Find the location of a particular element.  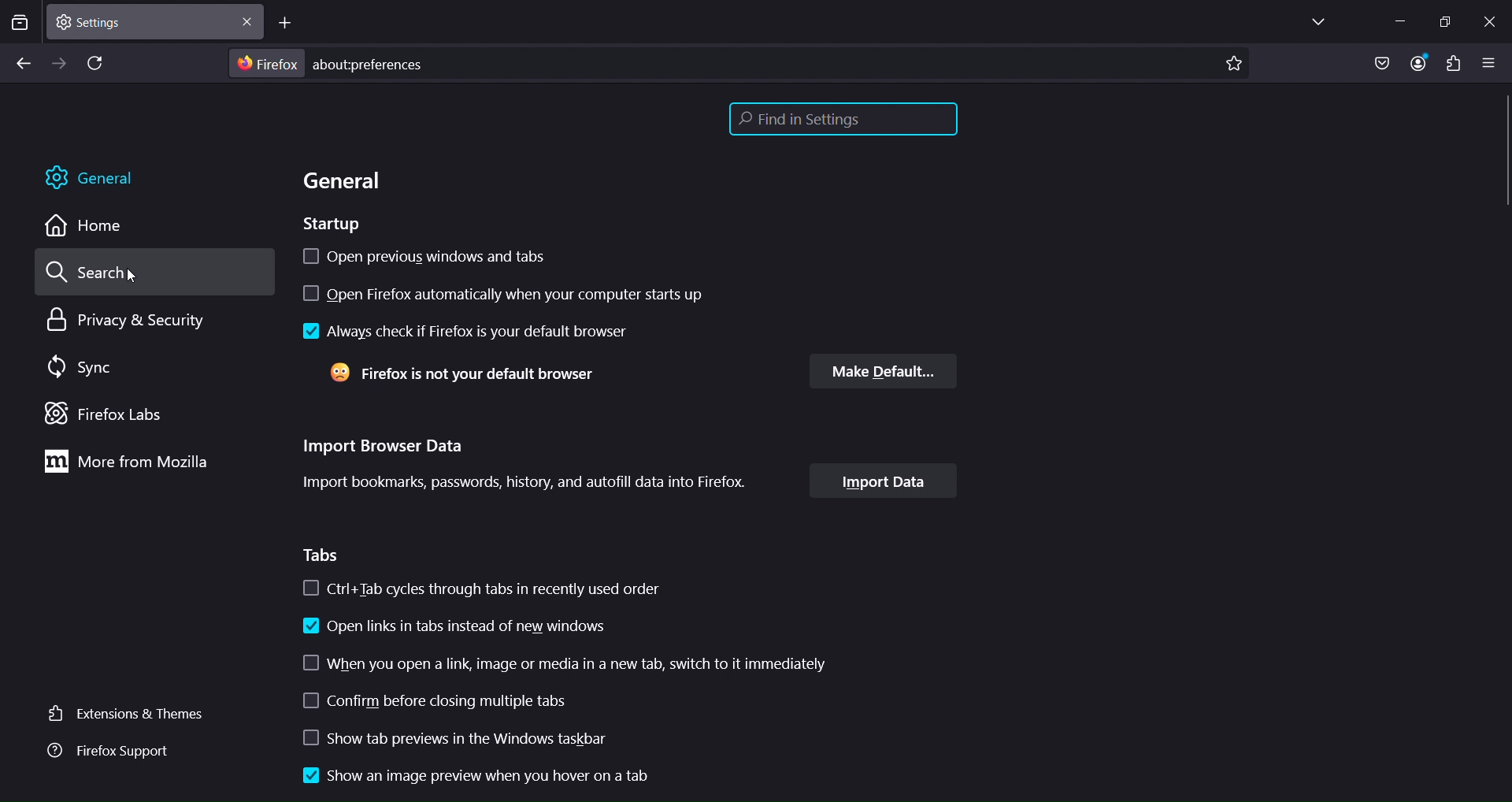

general is located at coordinates (95, 180).